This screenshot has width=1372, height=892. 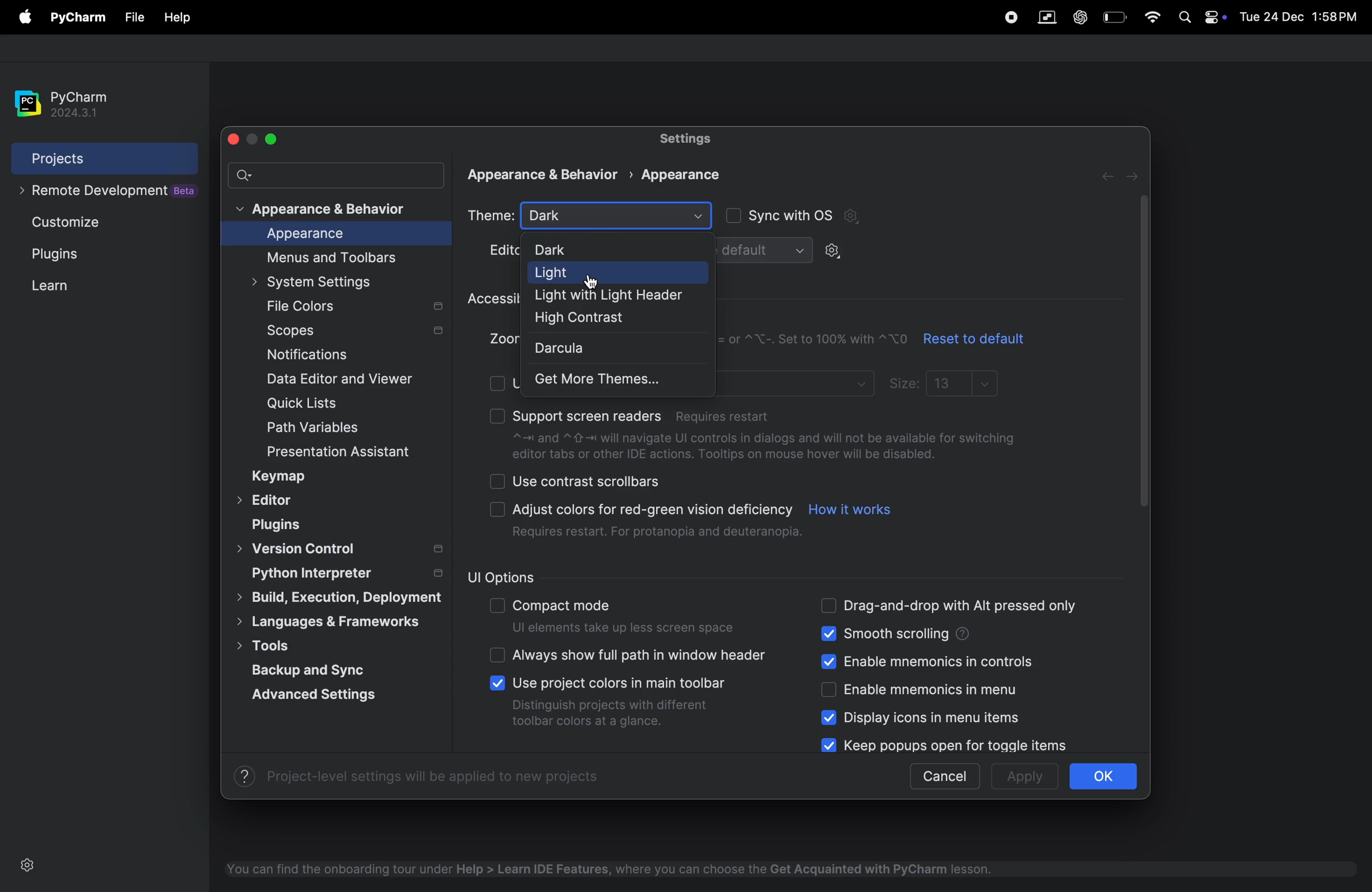 I want to click on togglr, so click(x=1145, y=361).